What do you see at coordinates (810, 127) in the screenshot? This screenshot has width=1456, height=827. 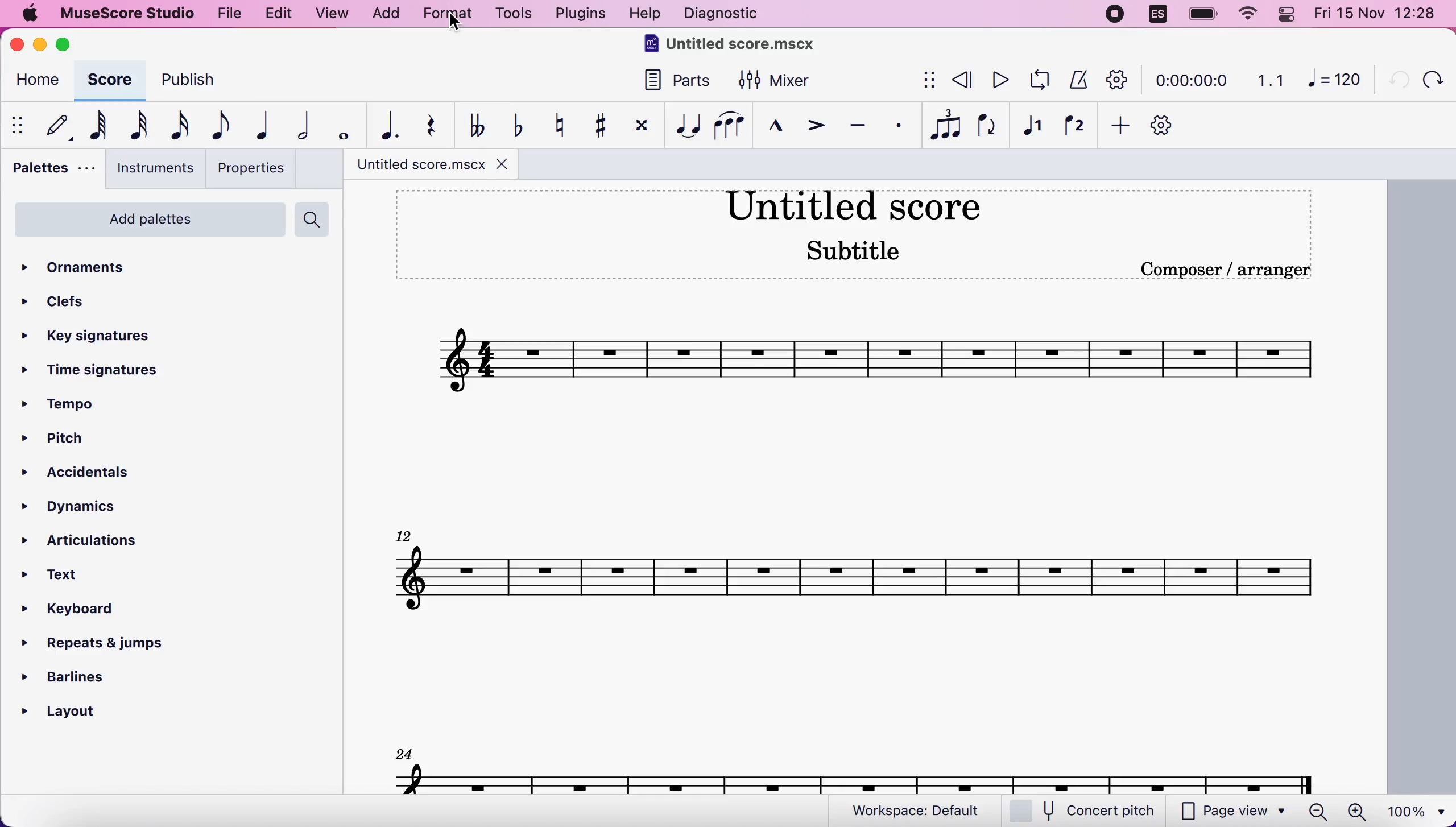 I see `accent` at bounding box center [810, 127].